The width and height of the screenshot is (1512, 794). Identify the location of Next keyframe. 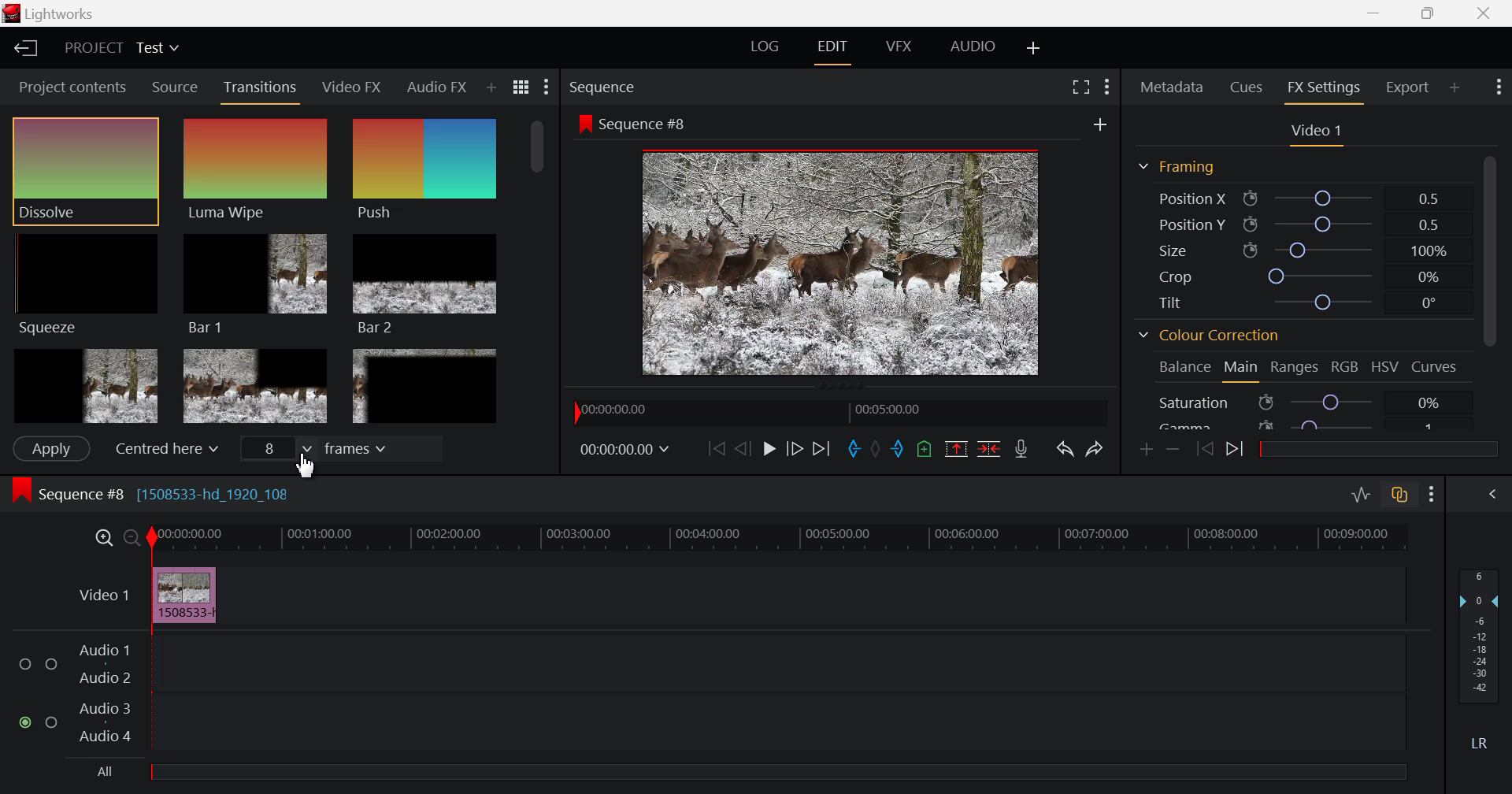
(1236, 449).